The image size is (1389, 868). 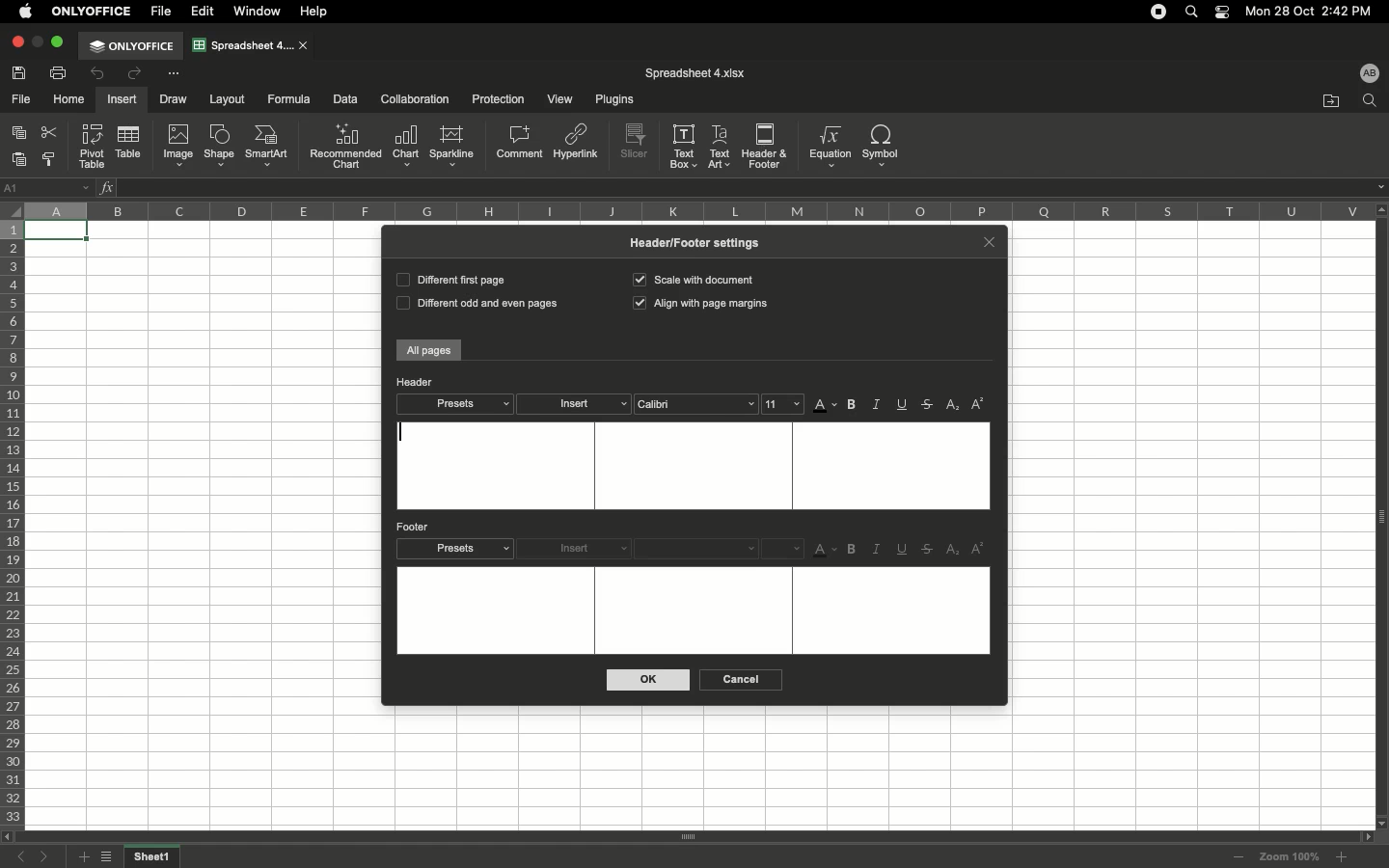 I want to click on Header/Footer settings, so click(x=701, y=242).